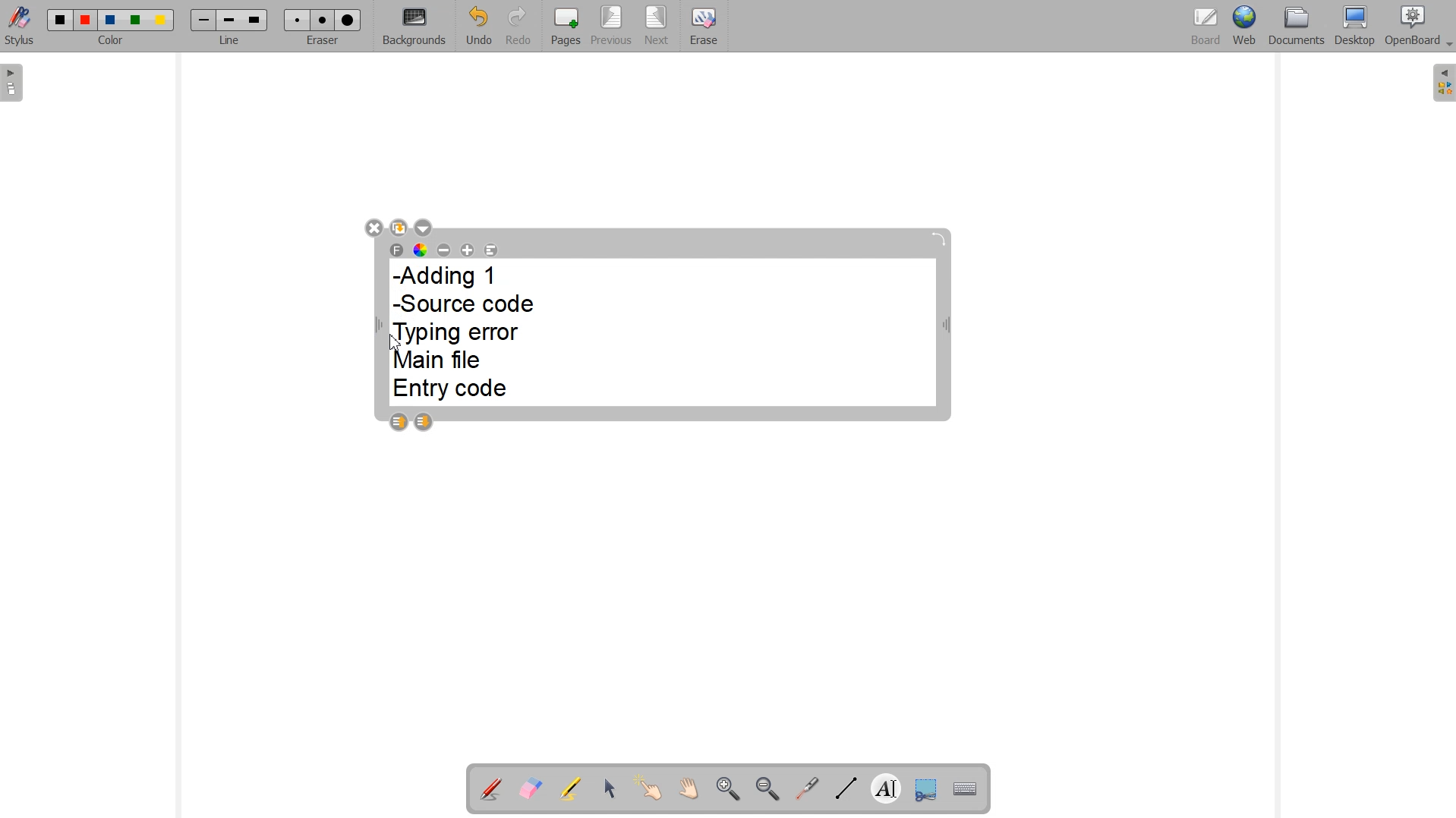  Describe the element at coordinates (421, 250) in the screenshot. I see `Text color` at that location.